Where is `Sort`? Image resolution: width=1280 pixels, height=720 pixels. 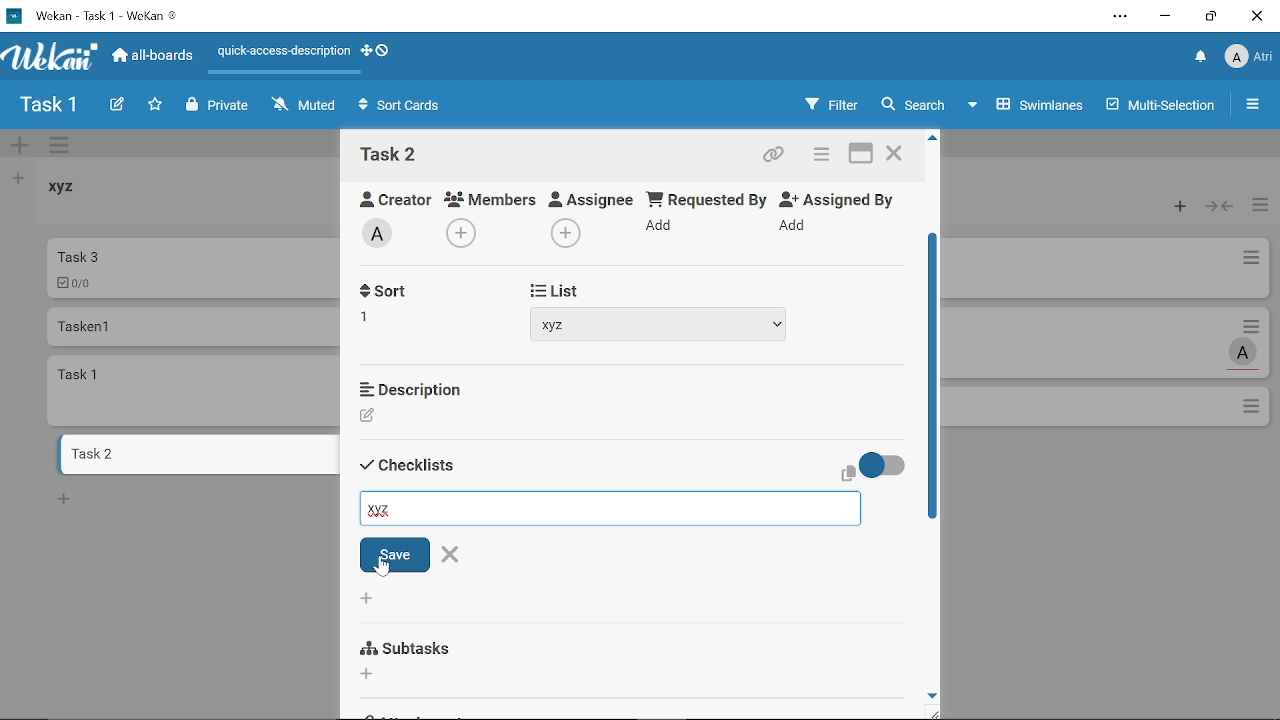 Sort is located at coordinates (409, 465).